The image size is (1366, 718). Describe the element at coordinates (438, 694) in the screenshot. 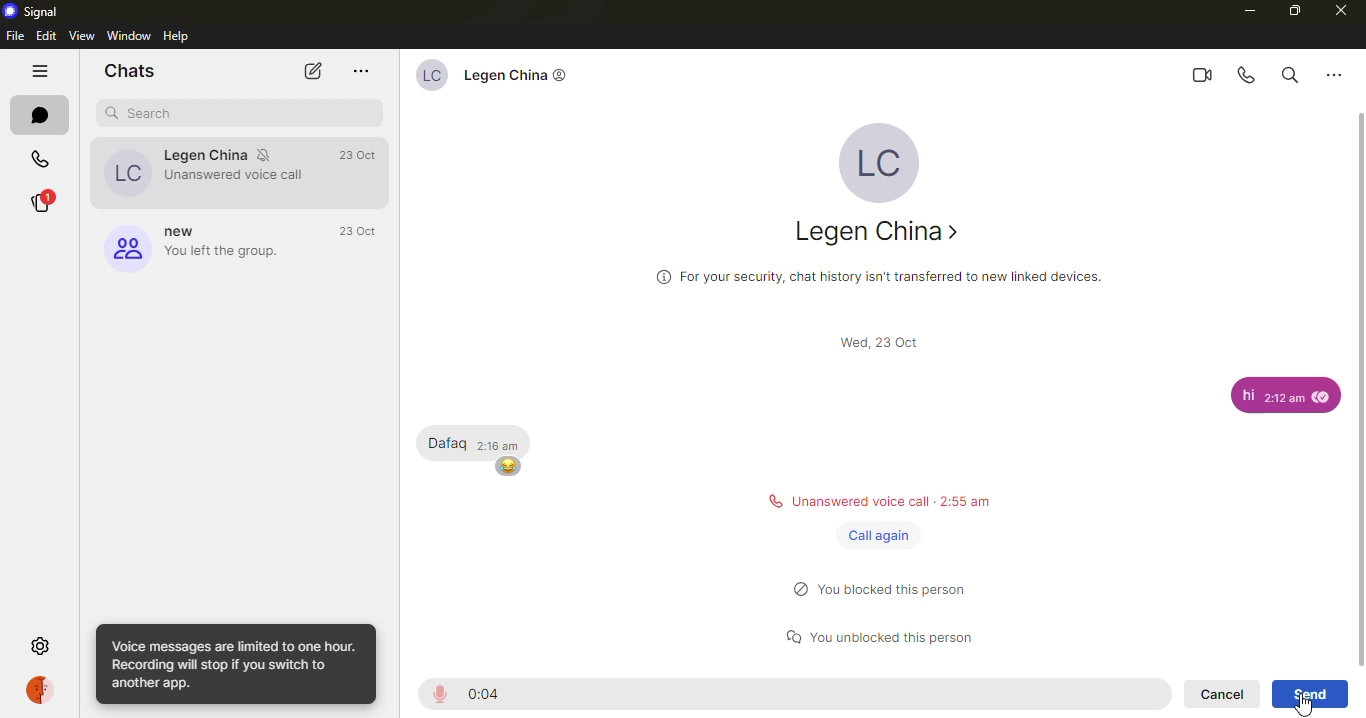

I see `recording` at that location.